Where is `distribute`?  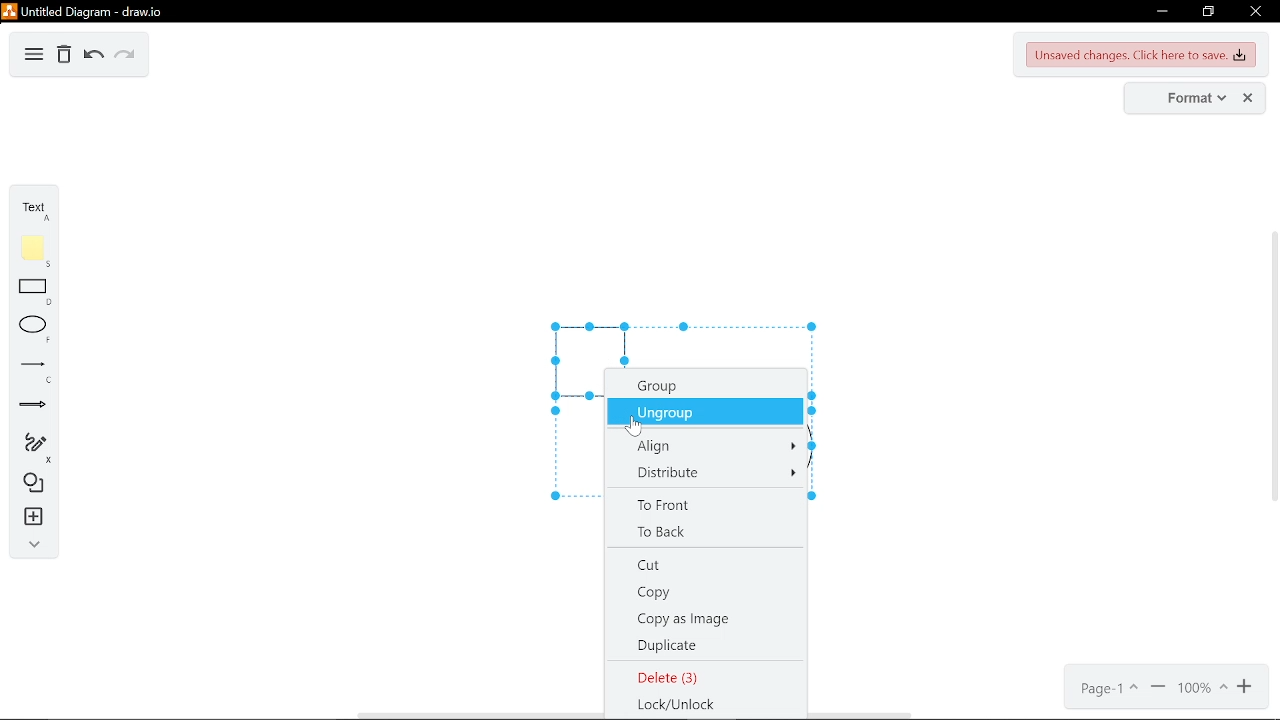 distribute is located at coordinates (710, 473).